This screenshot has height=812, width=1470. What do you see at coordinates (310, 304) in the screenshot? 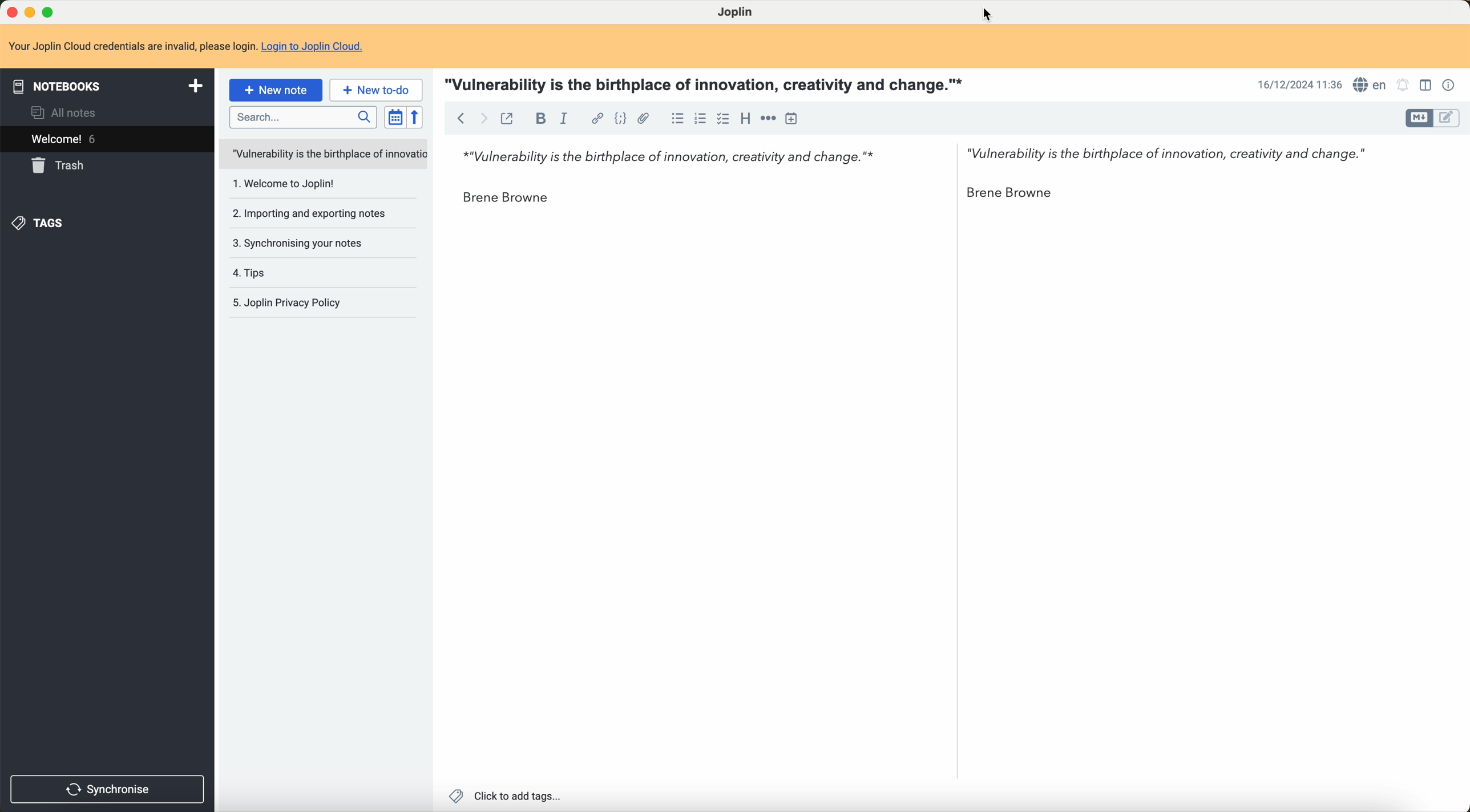
I see `Joplin privacy policy` at bounding box center [310, 304].